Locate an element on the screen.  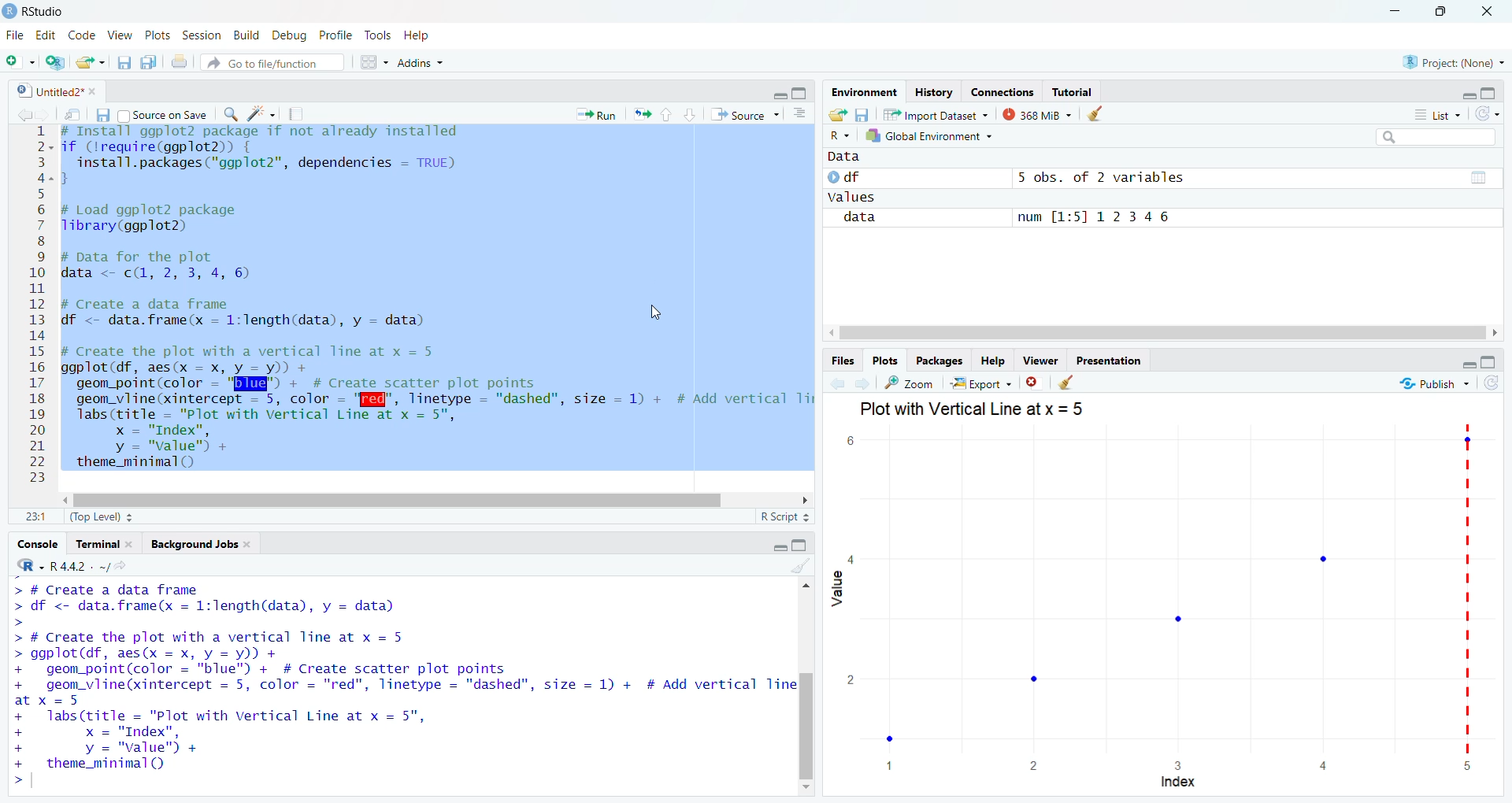
s Session is located at coordinates (198, 35).